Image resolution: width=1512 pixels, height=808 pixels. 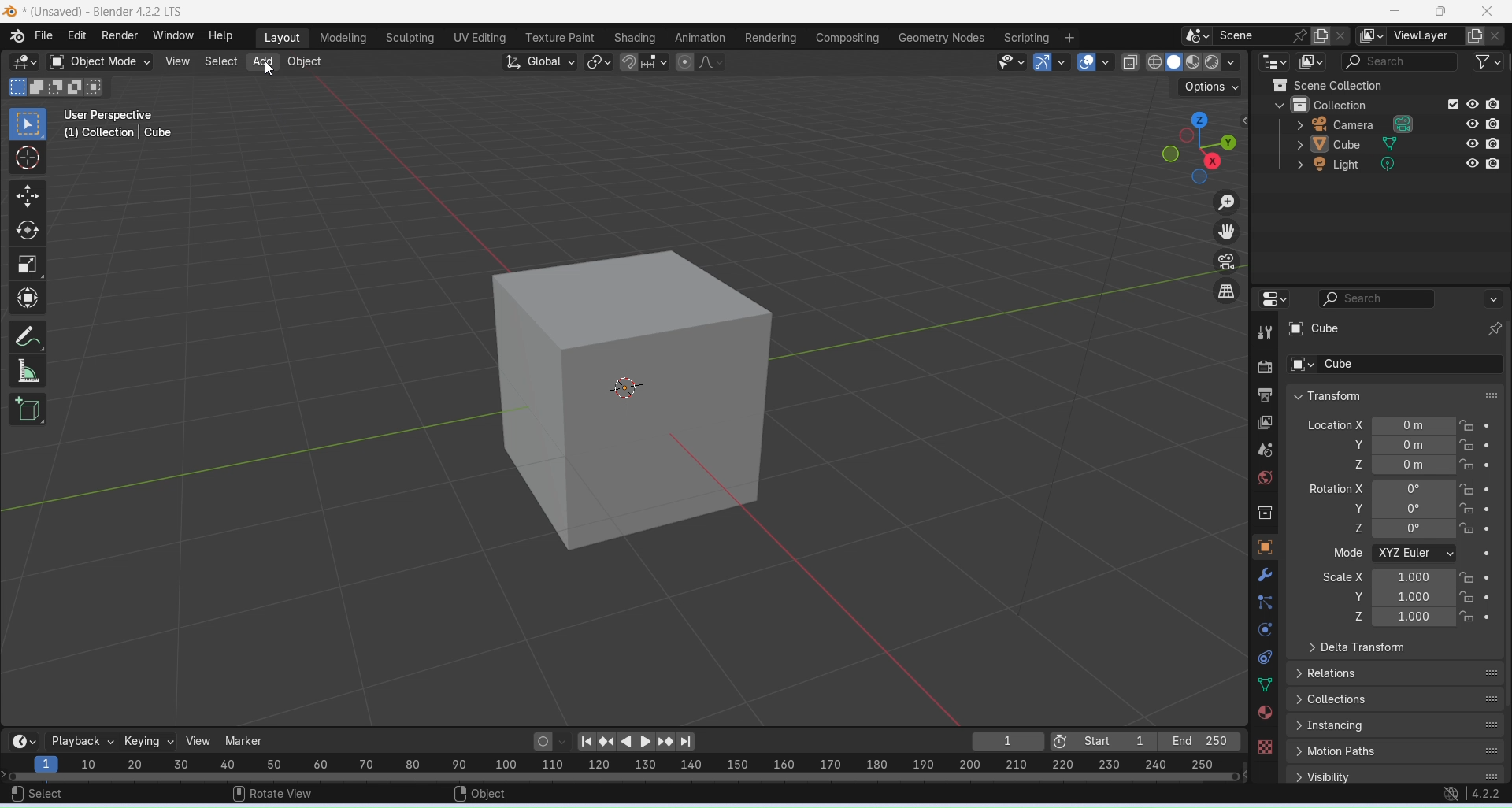 What do you see at coordinates (1397, 673) in the screenshot?
I see `Relations` at bounding box center [1397, 673].